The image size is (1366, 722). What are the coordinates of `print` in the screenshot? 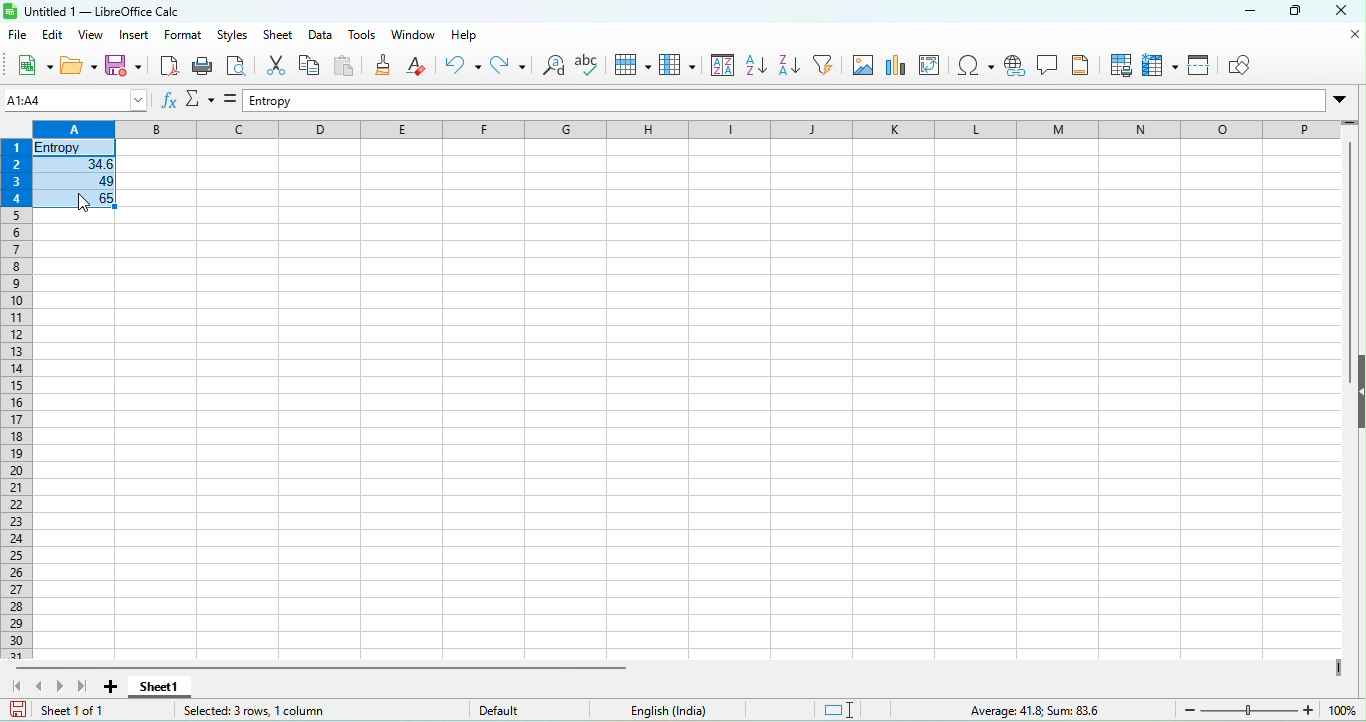 It's located at (205, 67).